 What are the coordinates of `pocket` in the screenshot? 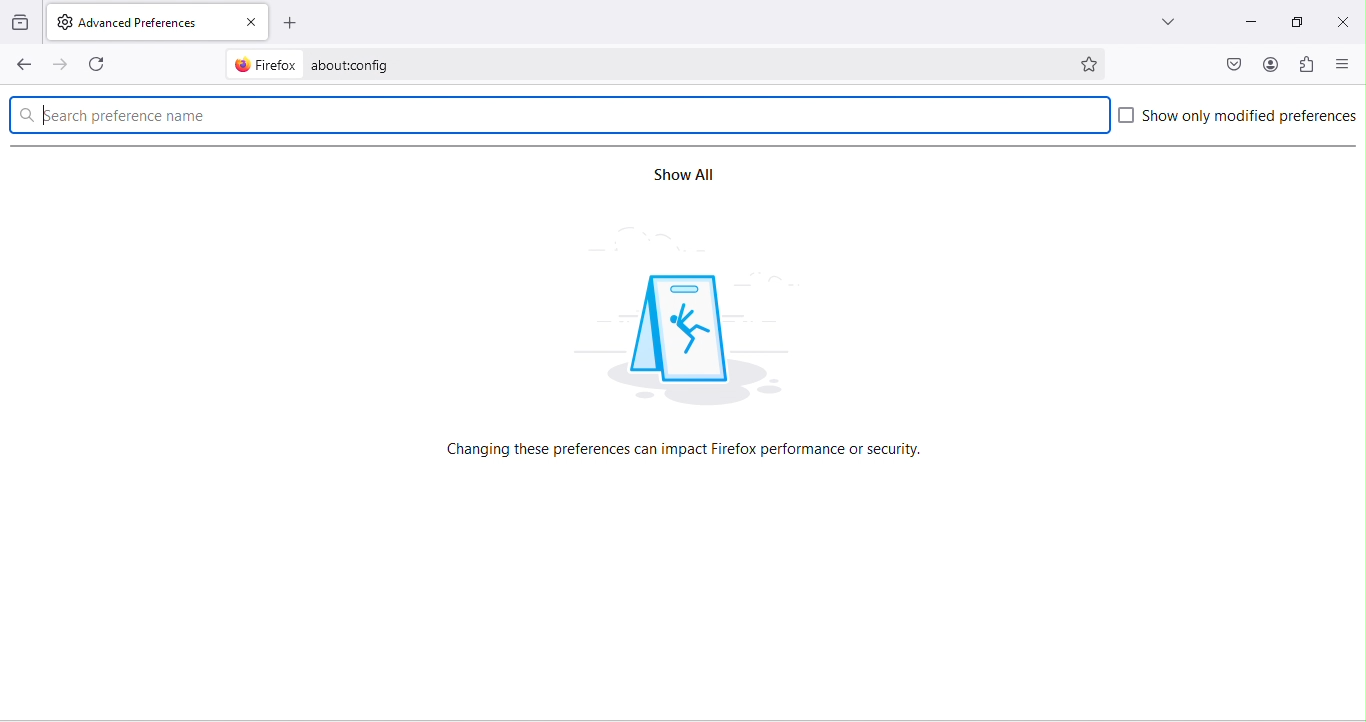 It's located at (1235, 63).